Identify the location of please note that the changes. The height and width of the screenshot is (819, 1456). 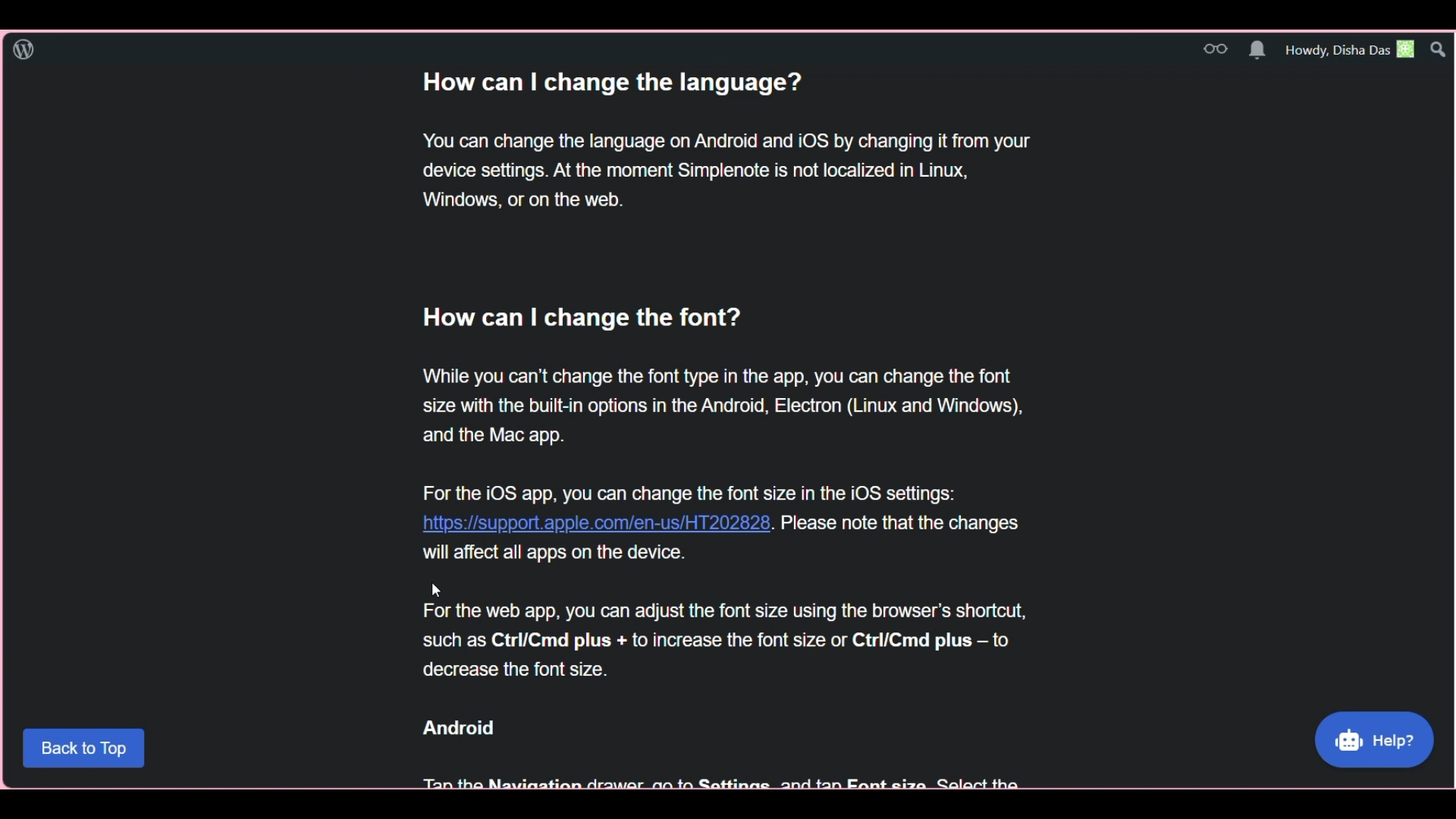
(908, 523).